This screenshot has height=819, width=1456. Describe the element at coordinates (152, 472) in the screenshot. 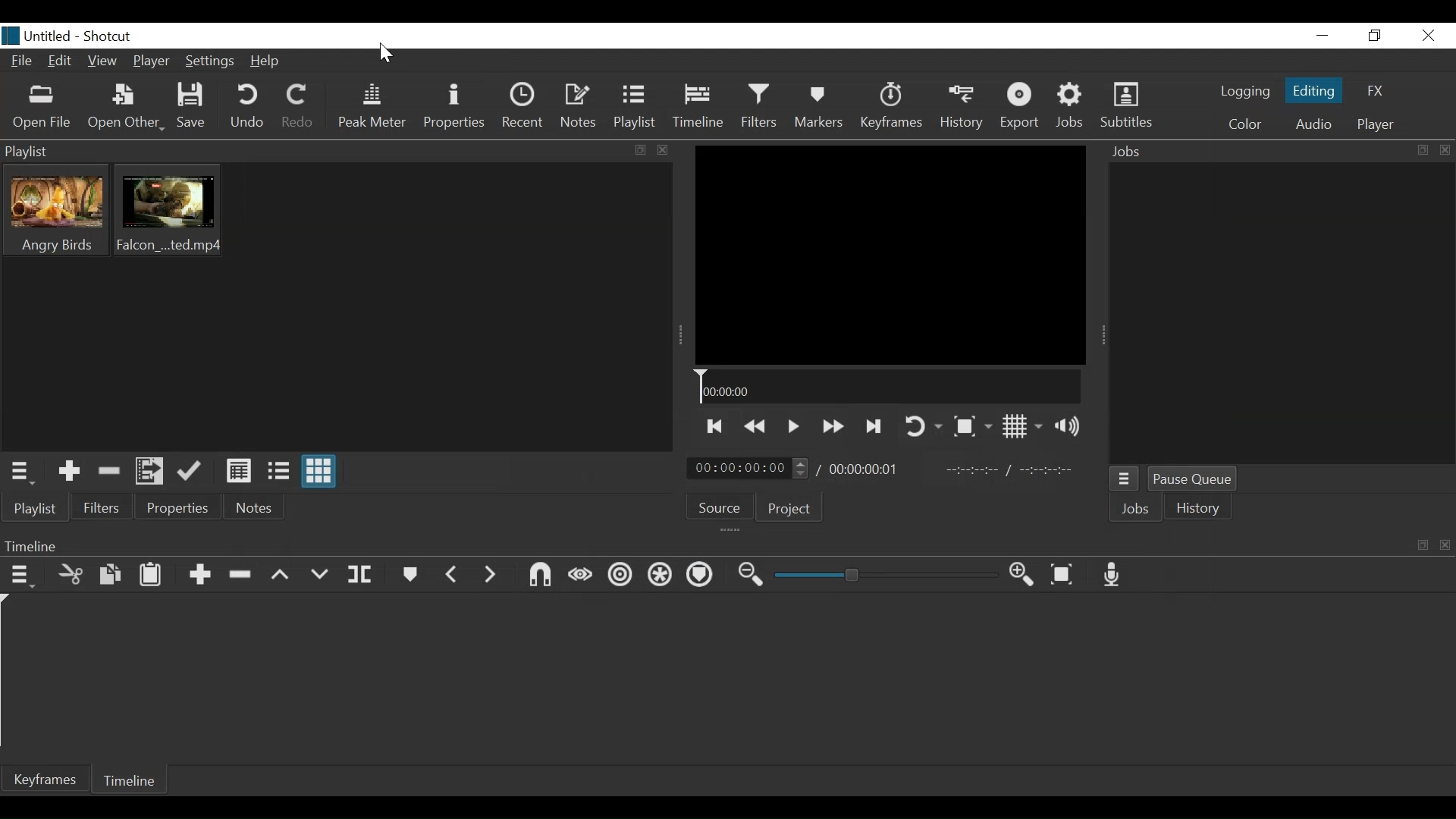

I see `Add files to the playlist` at that location.